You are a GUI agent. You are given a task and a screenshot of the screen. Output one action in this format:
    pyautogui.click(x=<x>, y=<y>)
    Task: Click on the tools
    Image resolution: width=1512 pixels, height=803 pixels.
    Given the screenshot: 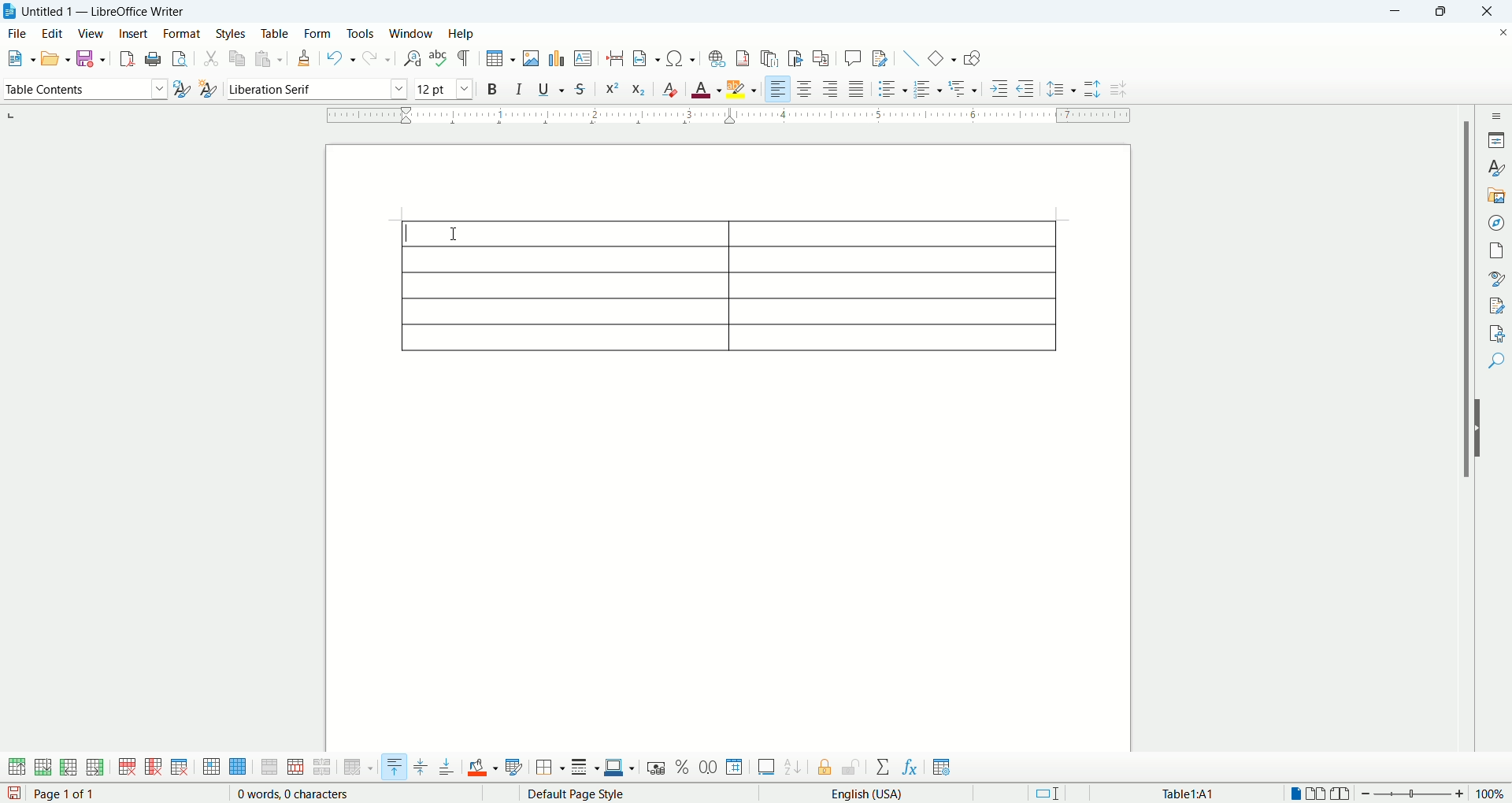 What is the action you would take?
    pyautogui.click(x=362, y=33)
    